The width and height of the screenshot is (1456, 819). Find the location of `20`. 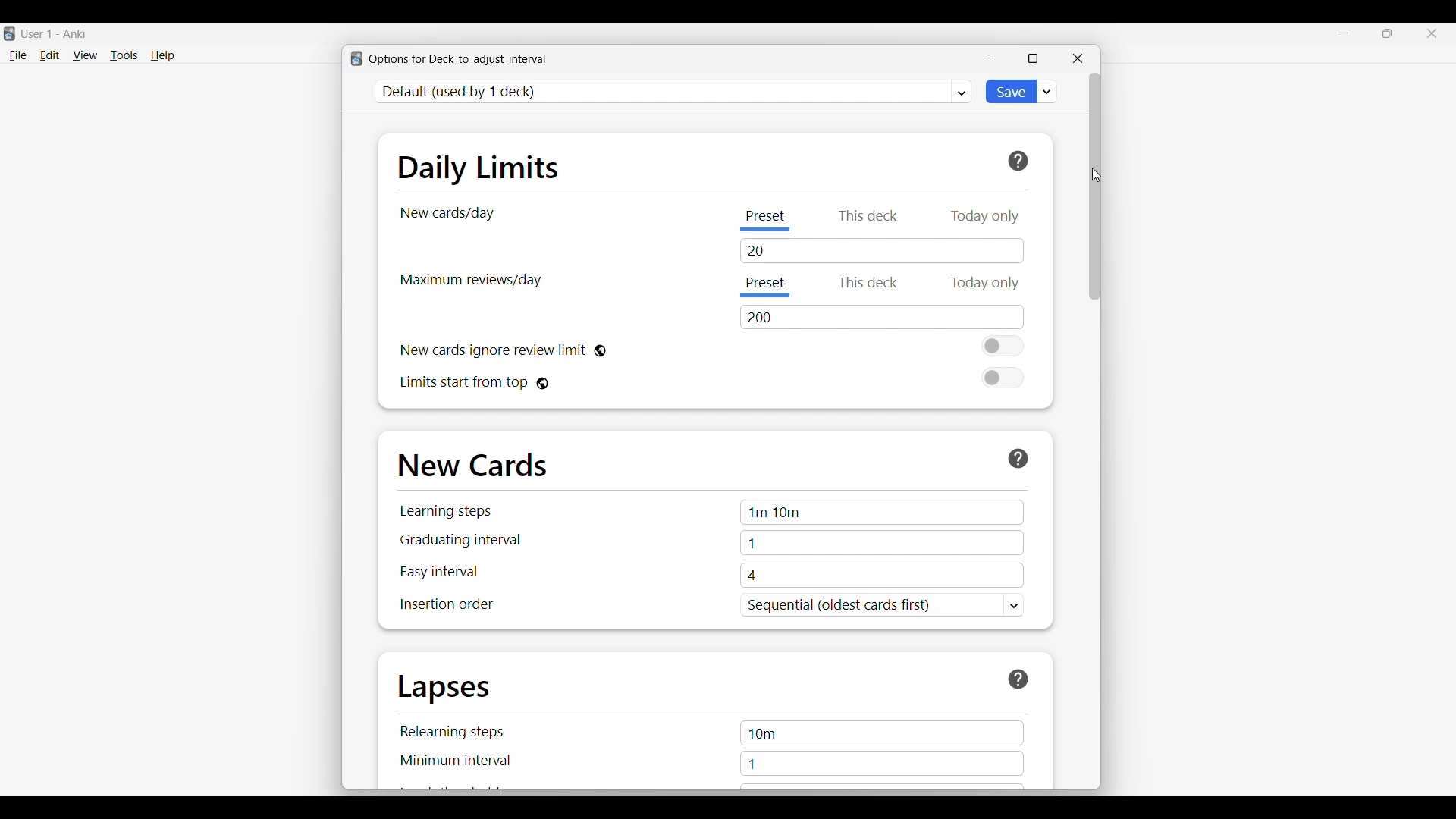

20 is located at coordinates (882, 253).